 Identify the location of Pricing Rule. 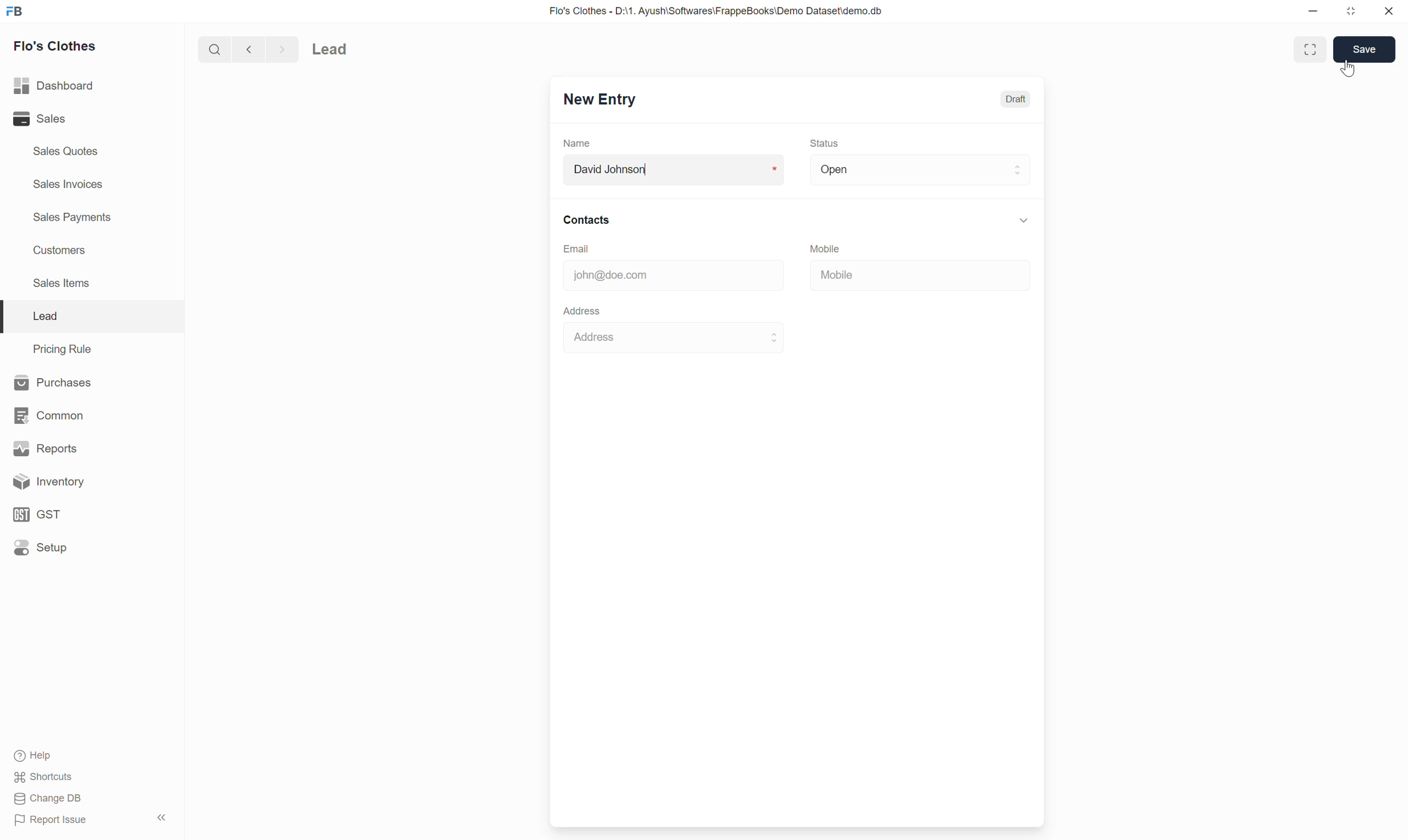
(61, 348).